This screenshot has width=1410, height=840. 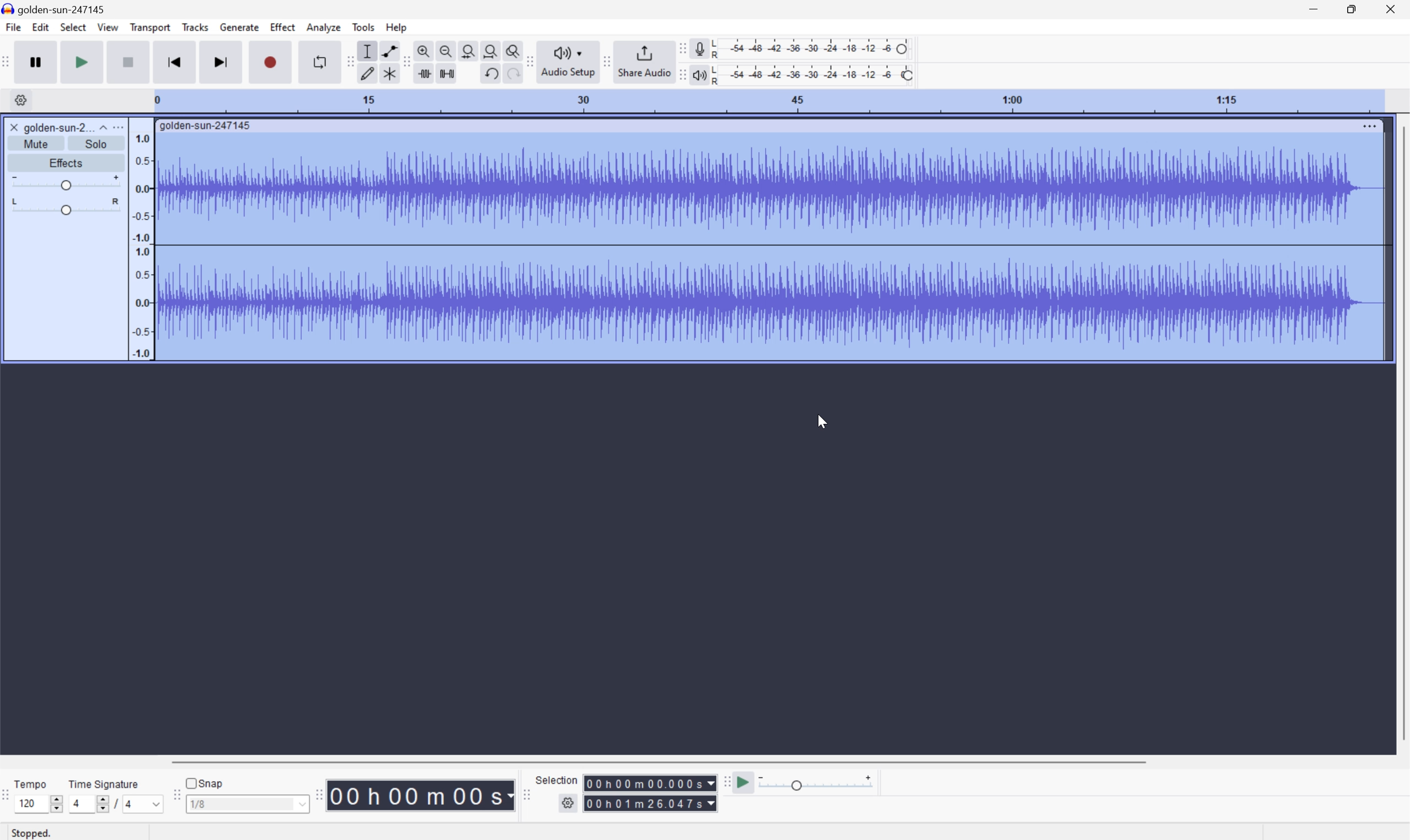 What do you see at coordinates (32, 833) in the screenshot?
I see `Stopped` at bounding box center [32, 833].